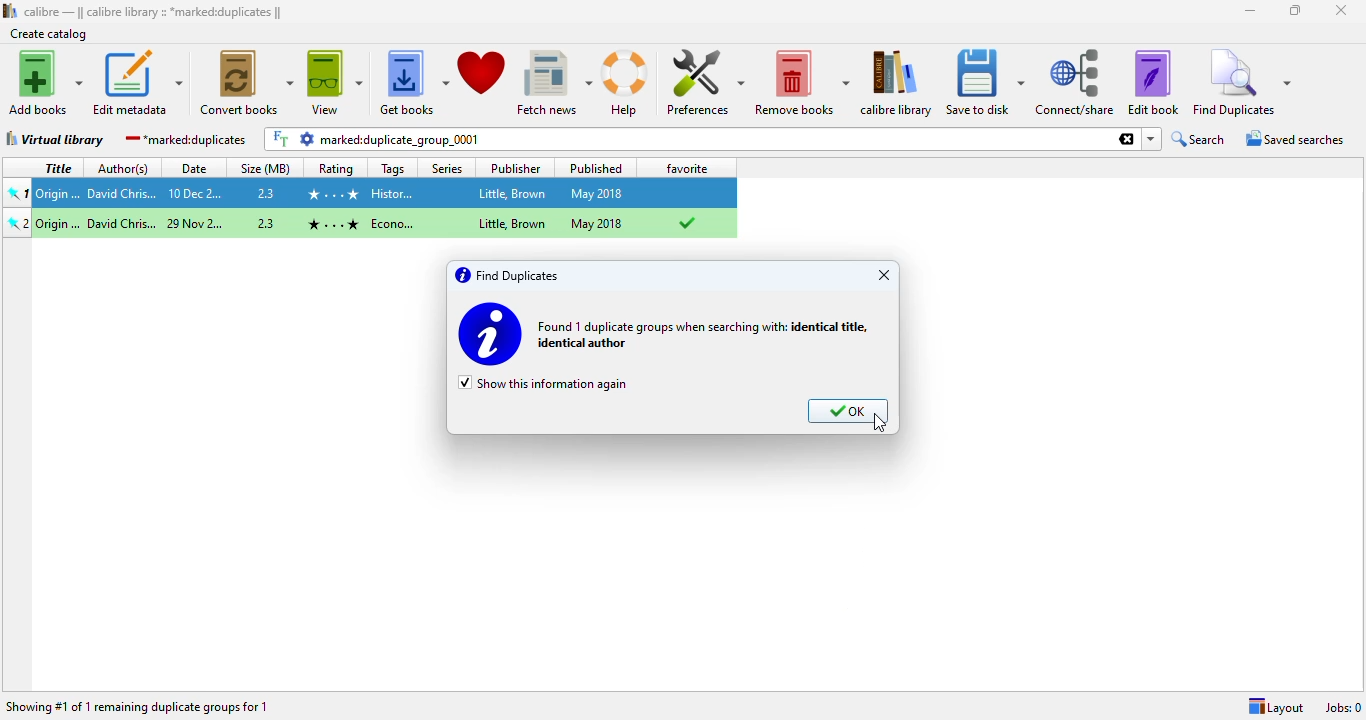  Describe the element at coordinates (333, 167) in the screenshot. I see `rating` at that location.